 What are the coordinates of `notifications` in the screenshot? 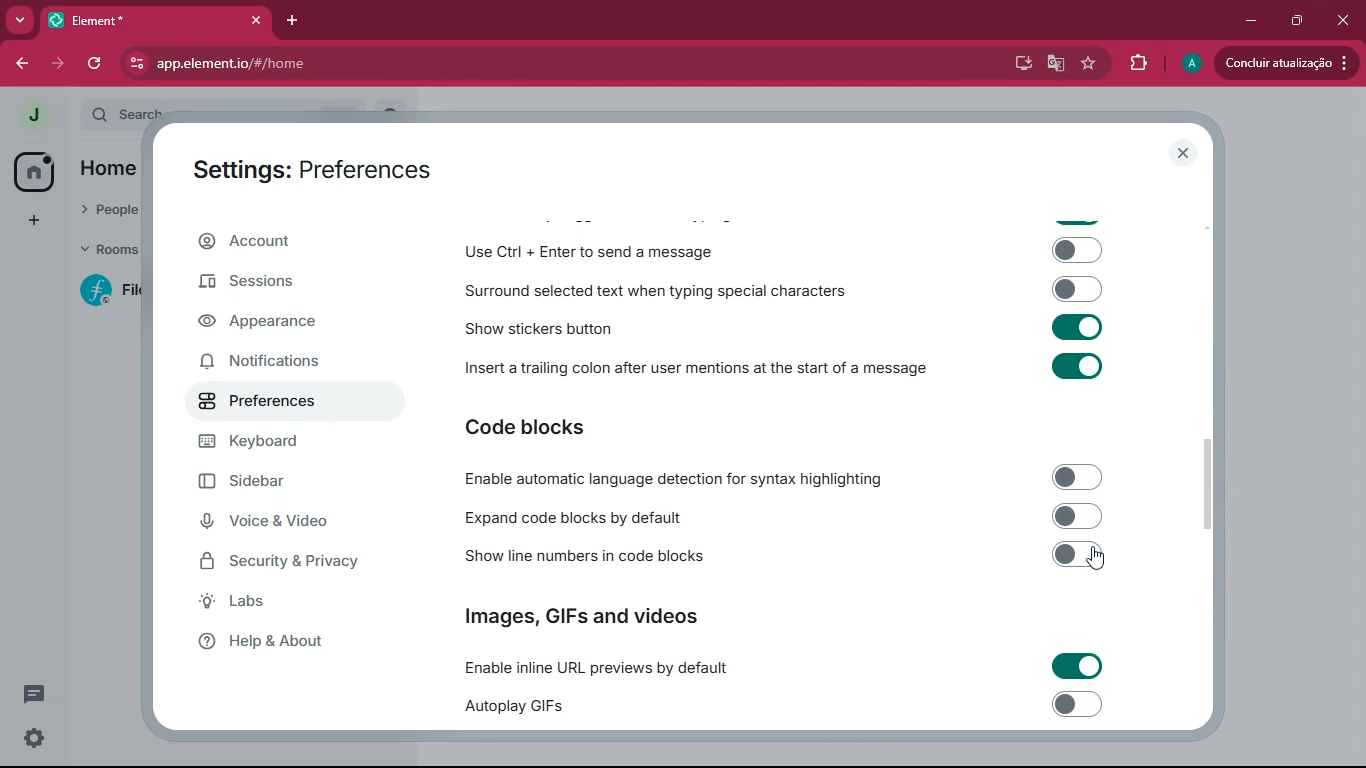 It's located at (276, 363).